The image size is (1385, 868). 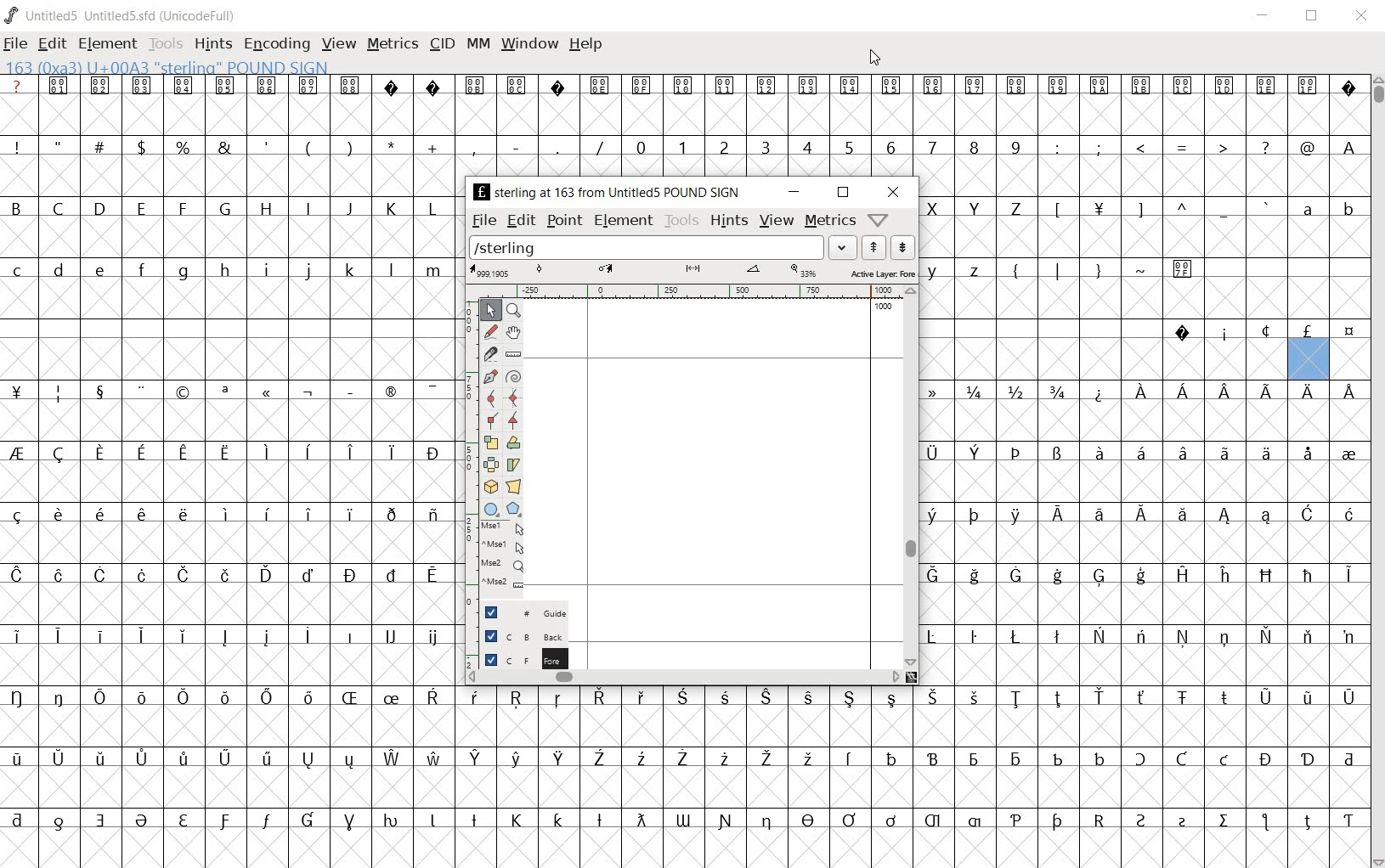 I want to click on Symbol, so click(x=1142, y=820).